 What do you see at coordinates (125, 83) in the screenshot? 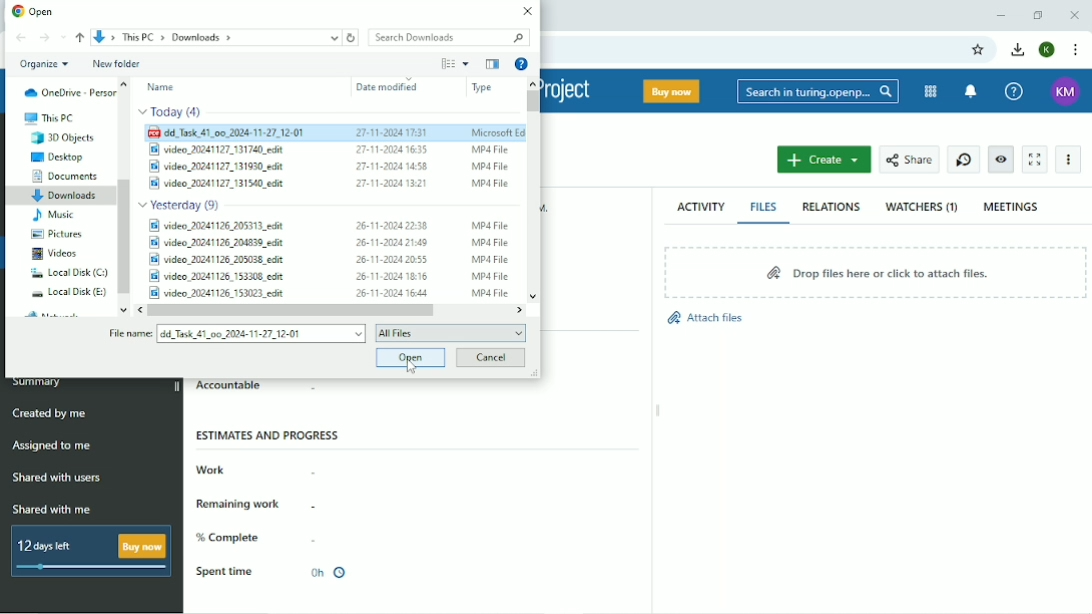
I see `scroll up` at bounding box center [125, 83].